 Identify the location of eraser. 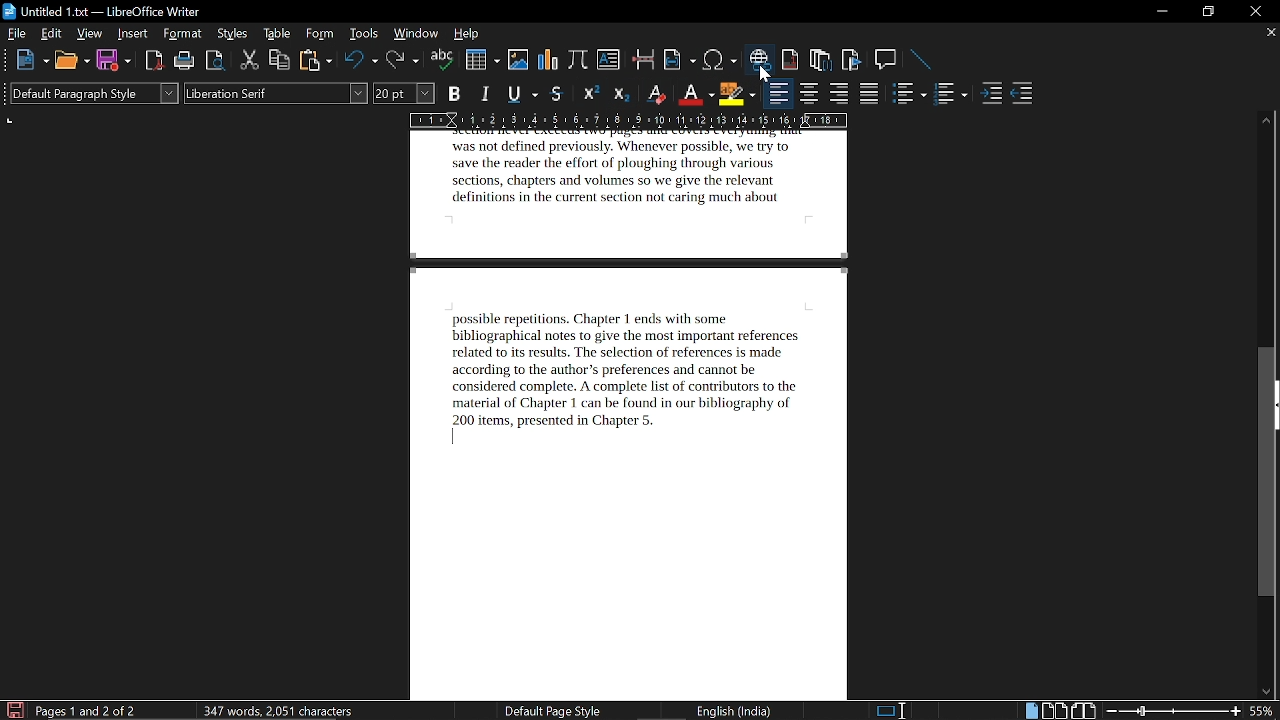
(657, 93).